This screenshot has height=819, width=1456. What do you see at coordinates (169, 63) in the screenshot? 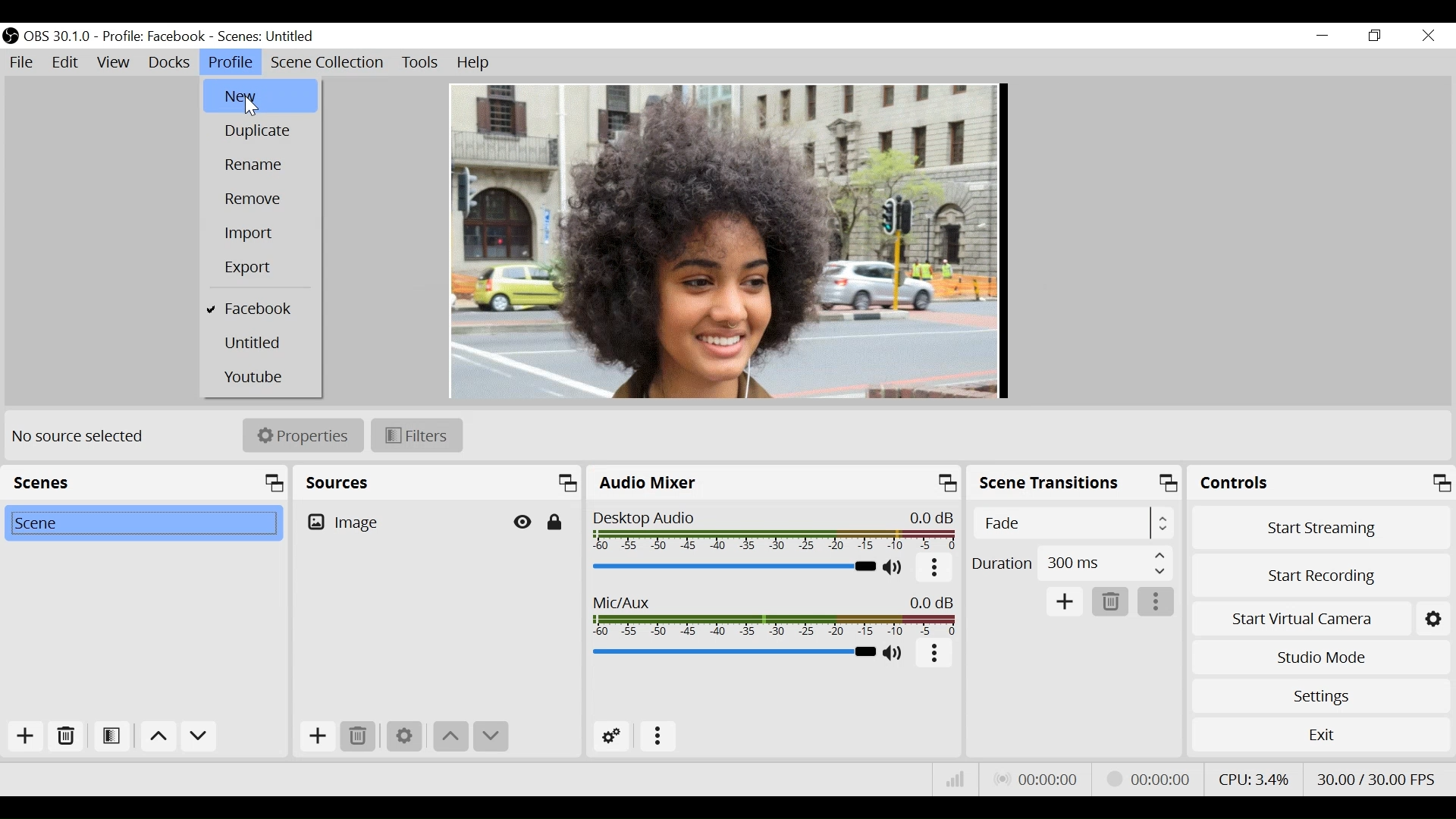
I see `Docks` at bounding box center [169, 63].